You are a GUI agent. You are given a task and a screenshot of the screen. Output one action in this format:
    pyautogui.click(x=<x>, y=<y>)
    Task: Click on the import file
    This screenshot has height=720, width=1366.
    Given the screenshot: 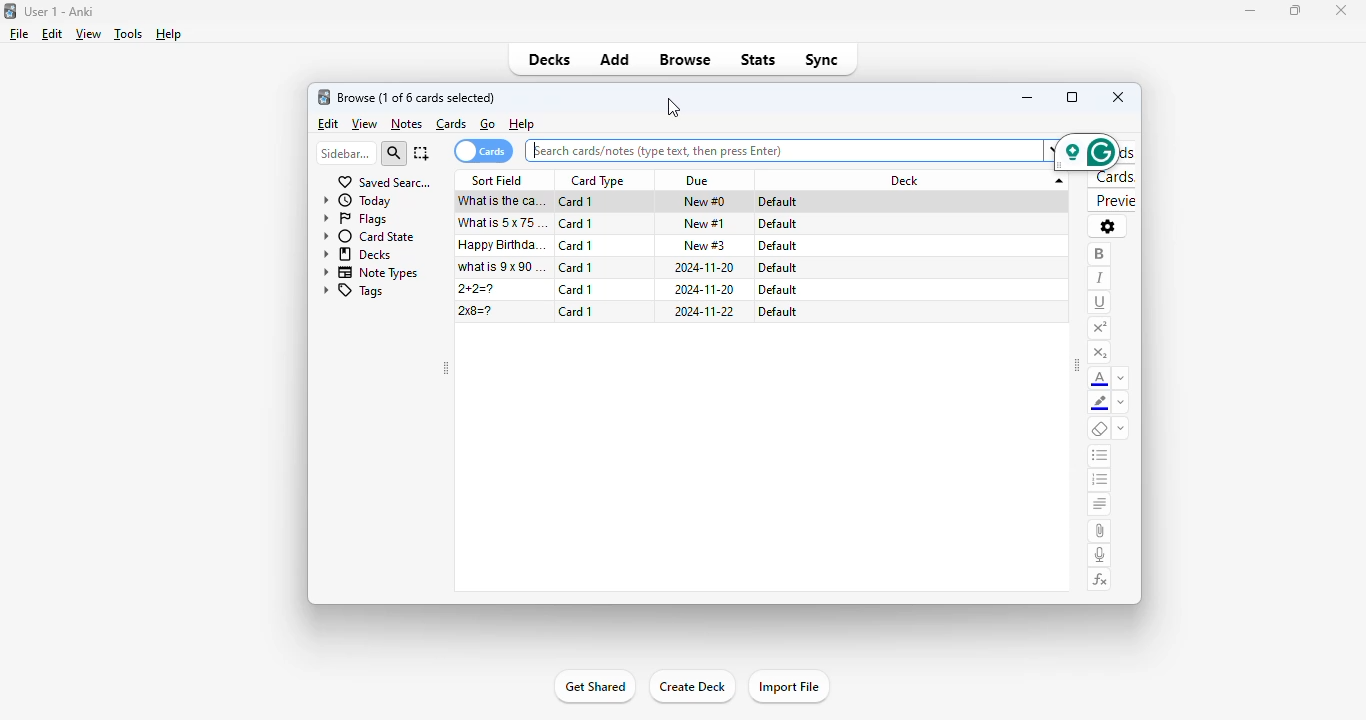 What is the action you would take?
    pyautogui.click(x=788, y=687)
    